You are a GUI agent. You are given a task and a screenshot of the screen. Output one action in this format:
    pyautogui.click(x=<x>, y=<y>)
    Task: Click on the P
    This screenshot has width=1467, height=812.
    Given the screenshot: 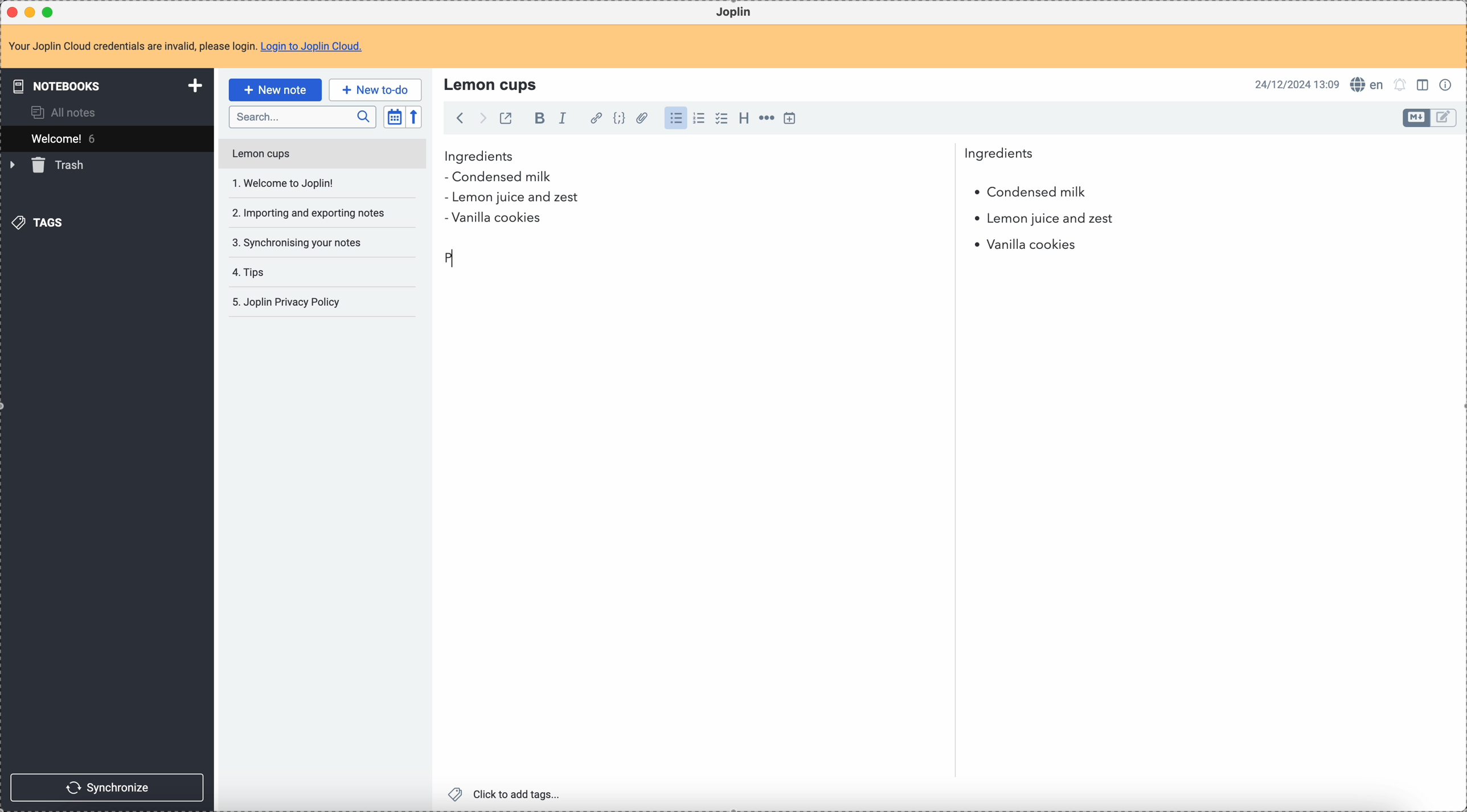 What is the action you would take?
    pyautogui.click(x=452, y=257)
    